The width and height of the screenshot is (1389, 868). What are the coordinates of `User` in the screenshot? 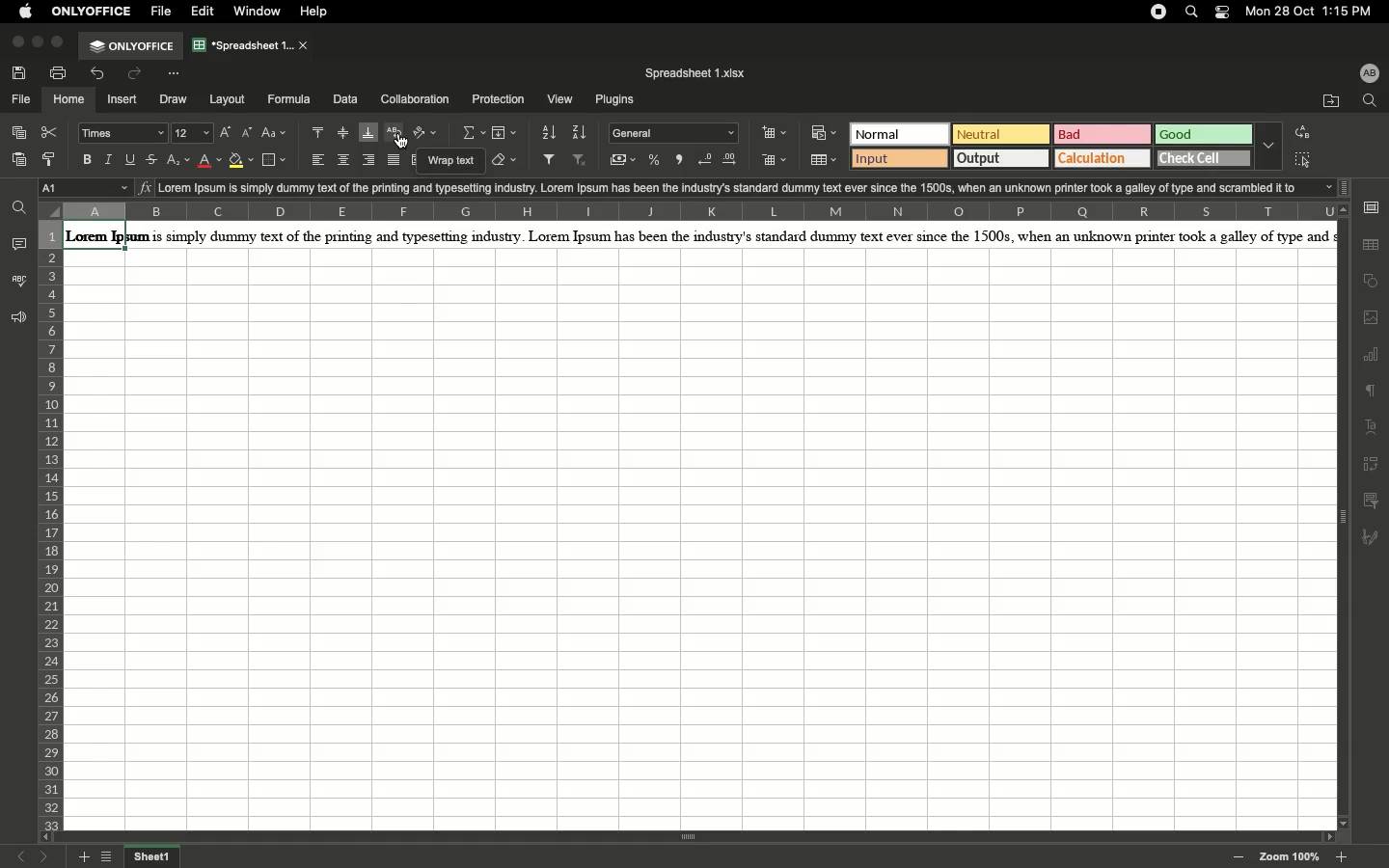 It's located at (1371, 74).